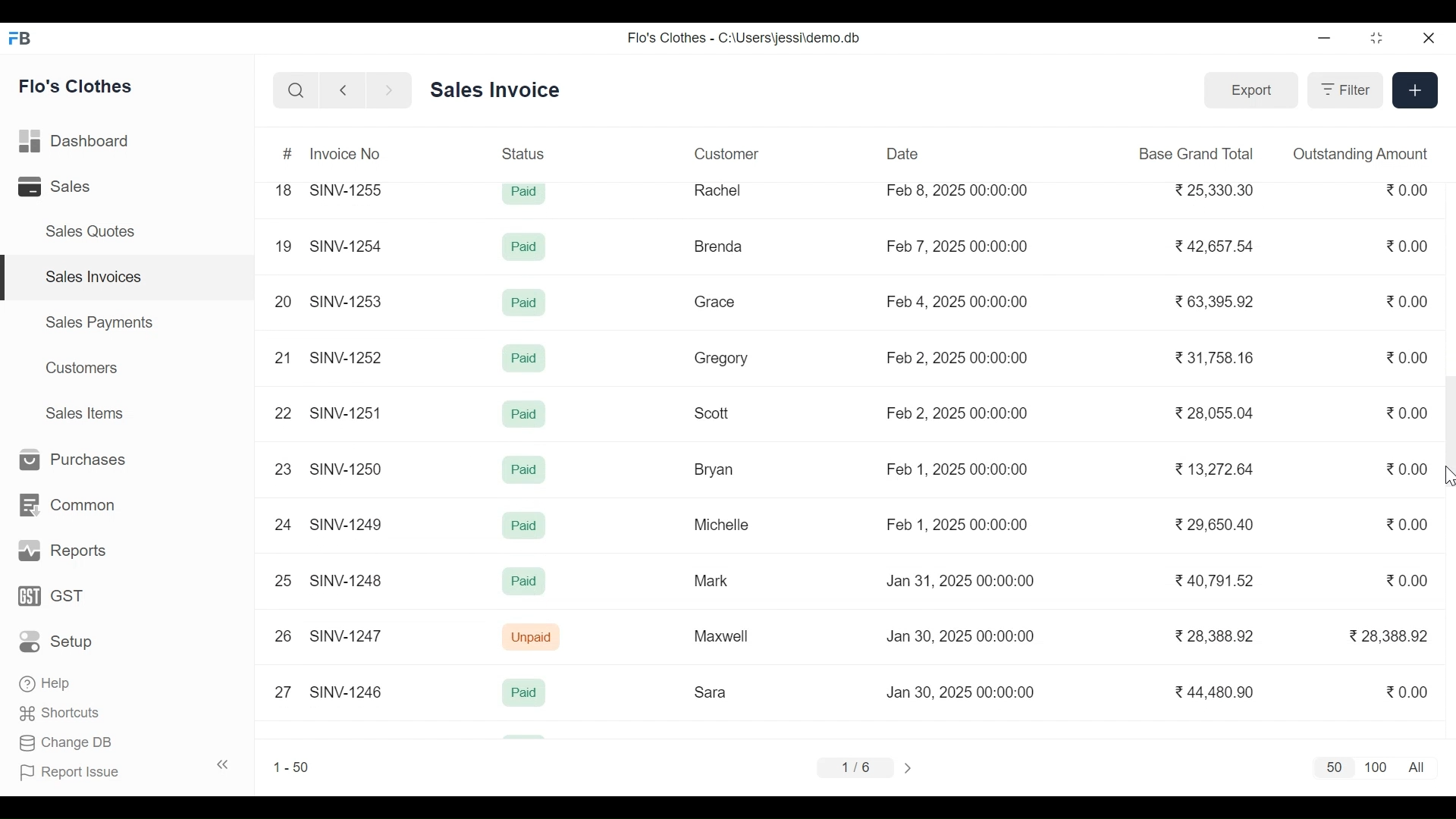 This screenshot has width=1456, height=819. I want to click on Mark, so click(710, 579).